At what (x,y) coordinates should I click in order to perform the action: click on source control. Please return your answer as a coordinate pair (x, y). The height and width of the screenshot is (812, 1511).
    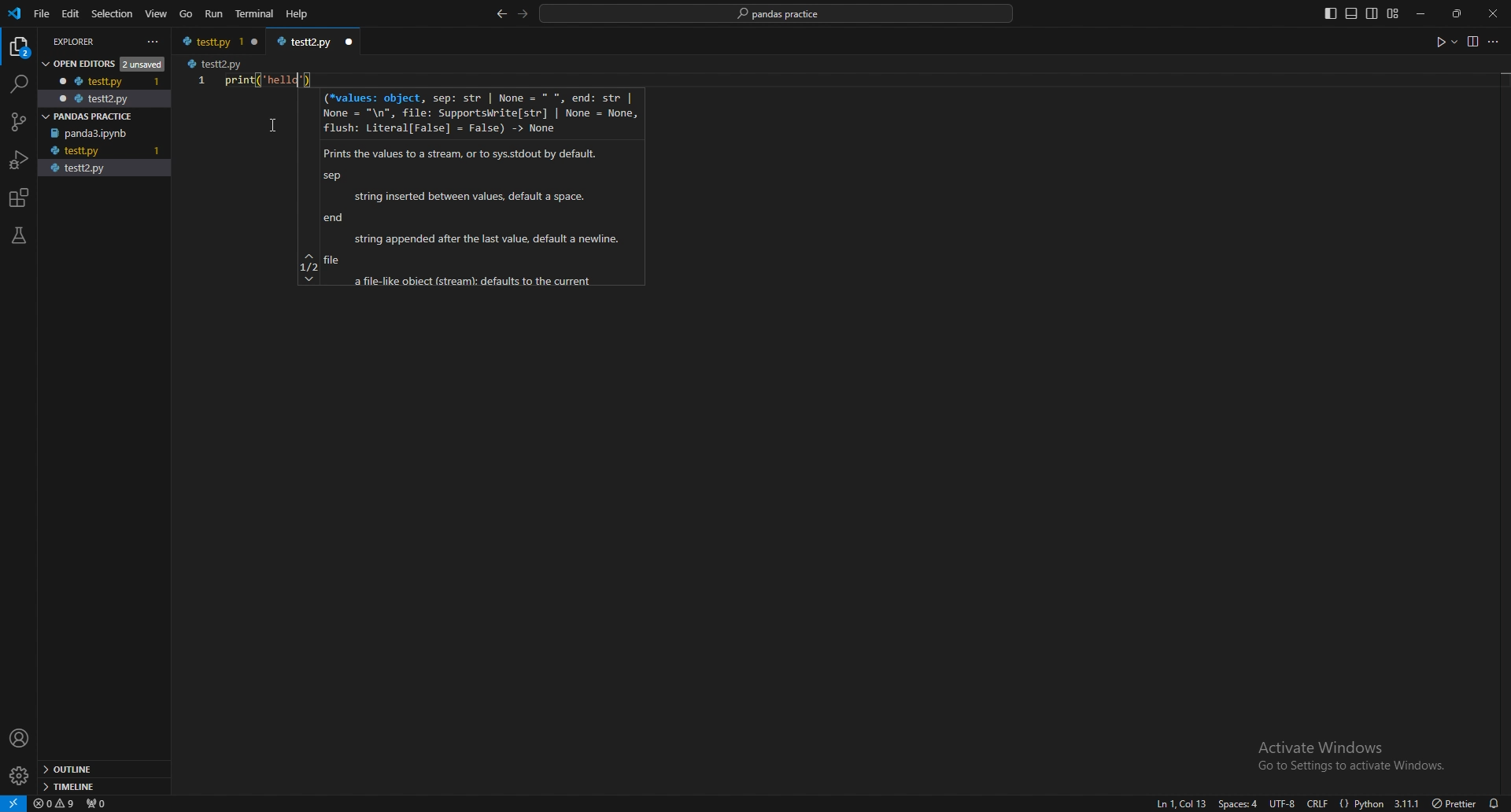
    Looking at the image, I should click on (17, 122).